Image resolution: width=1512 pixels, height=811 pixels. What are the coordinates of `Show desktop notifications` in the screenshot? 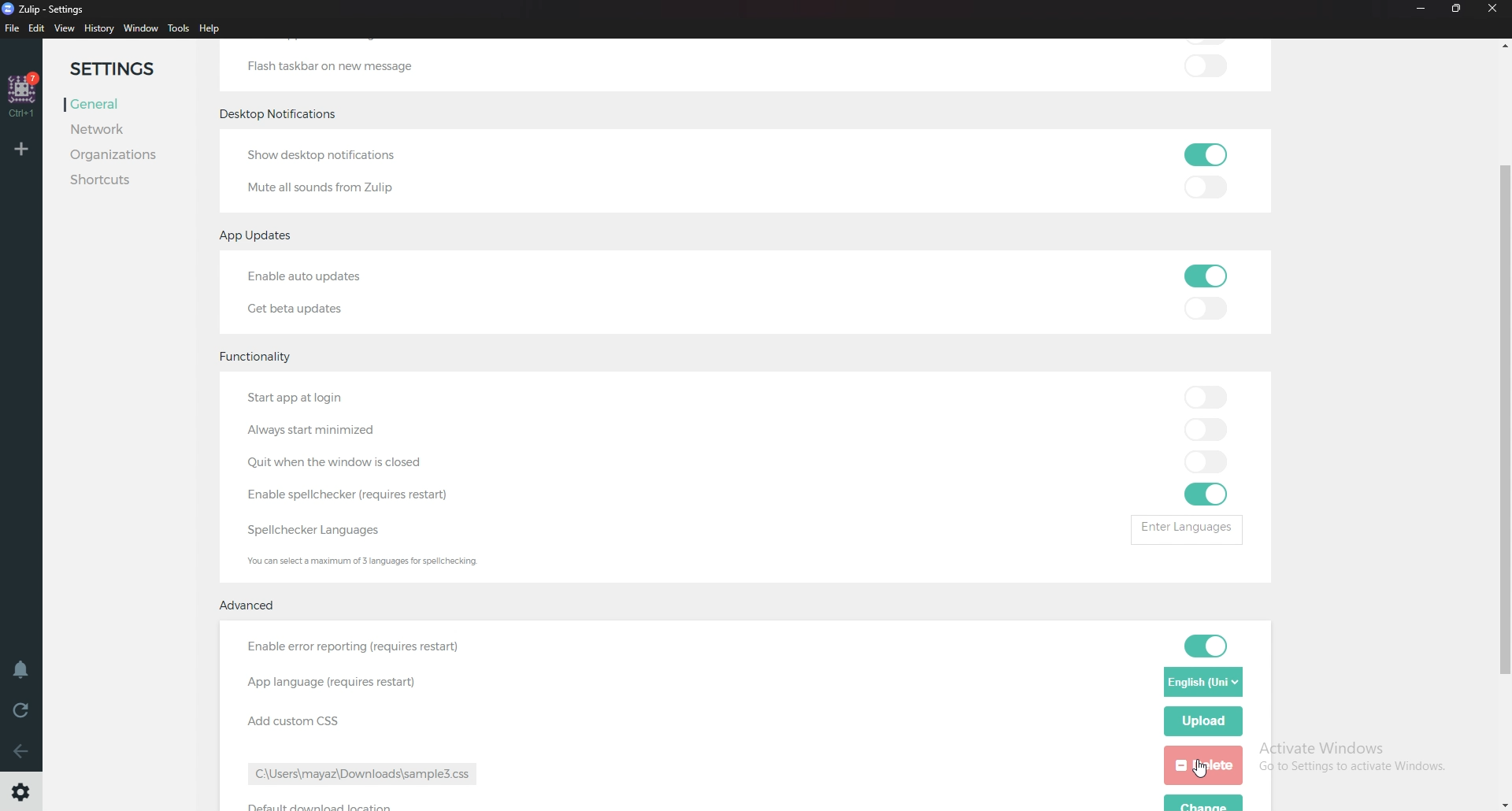 It's located at (332, 156).